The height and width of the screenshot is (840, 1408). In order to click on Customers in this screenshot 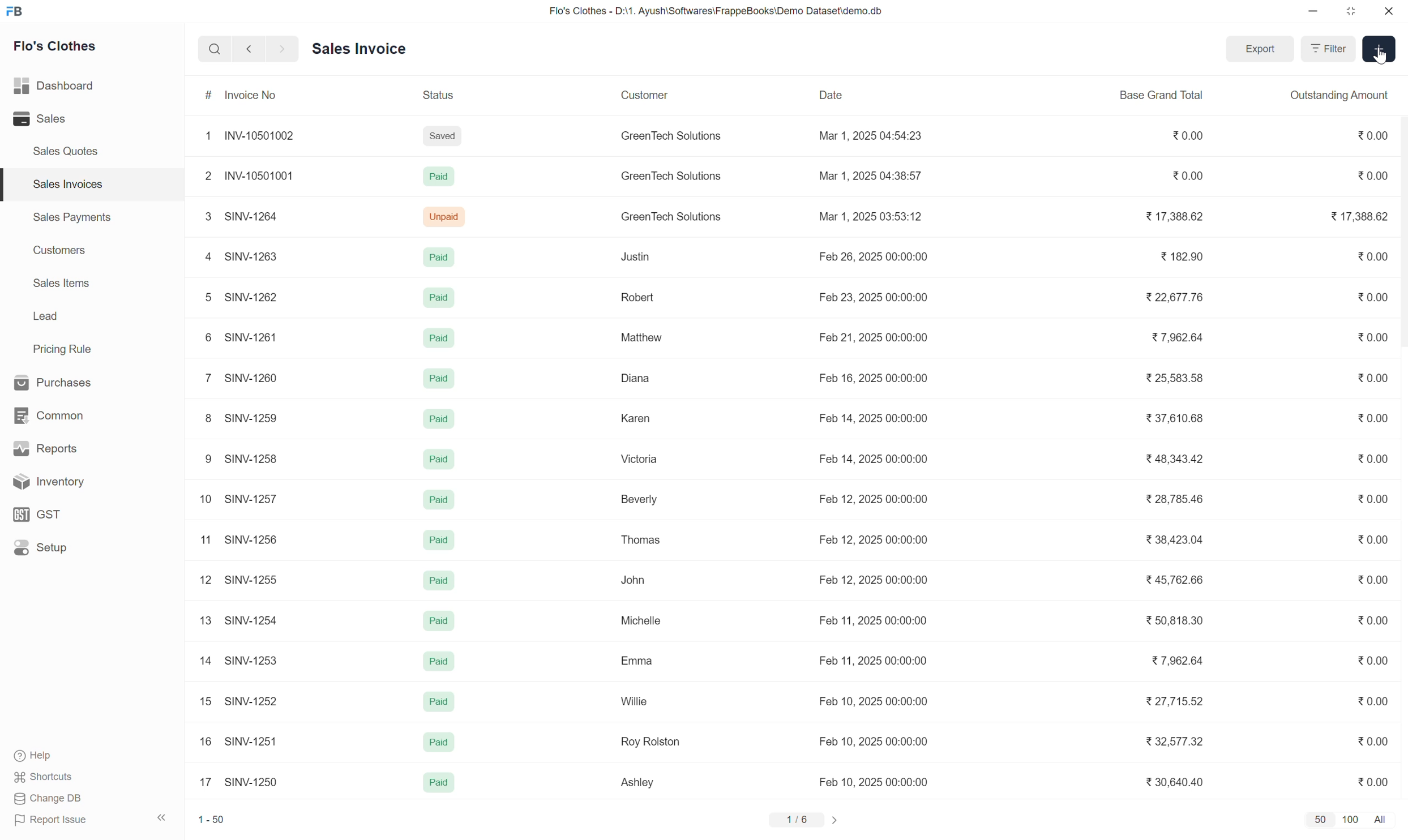, I will do `click(58, 252)`.